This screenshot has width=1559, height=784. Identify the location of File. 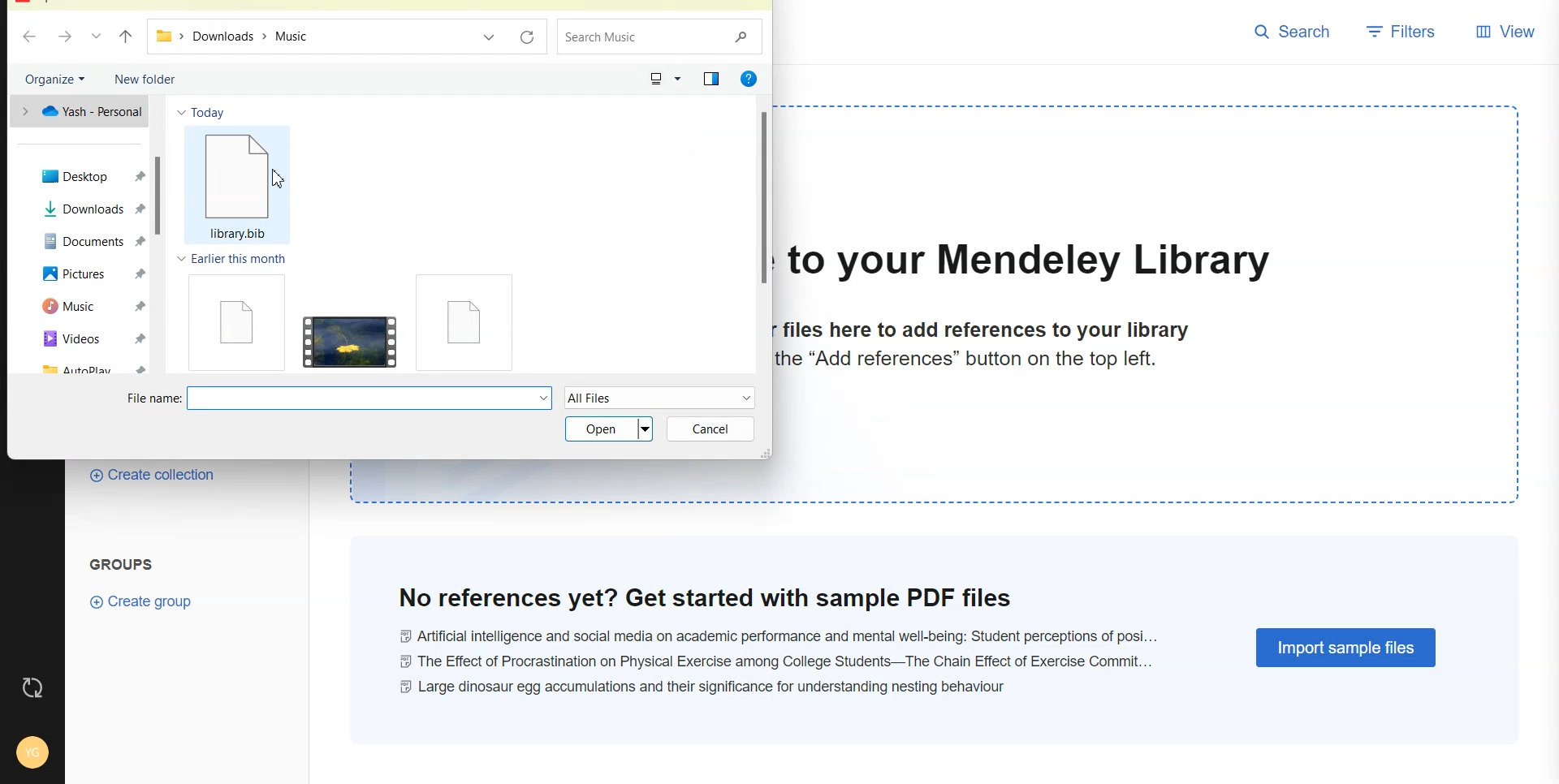
(464, 321).